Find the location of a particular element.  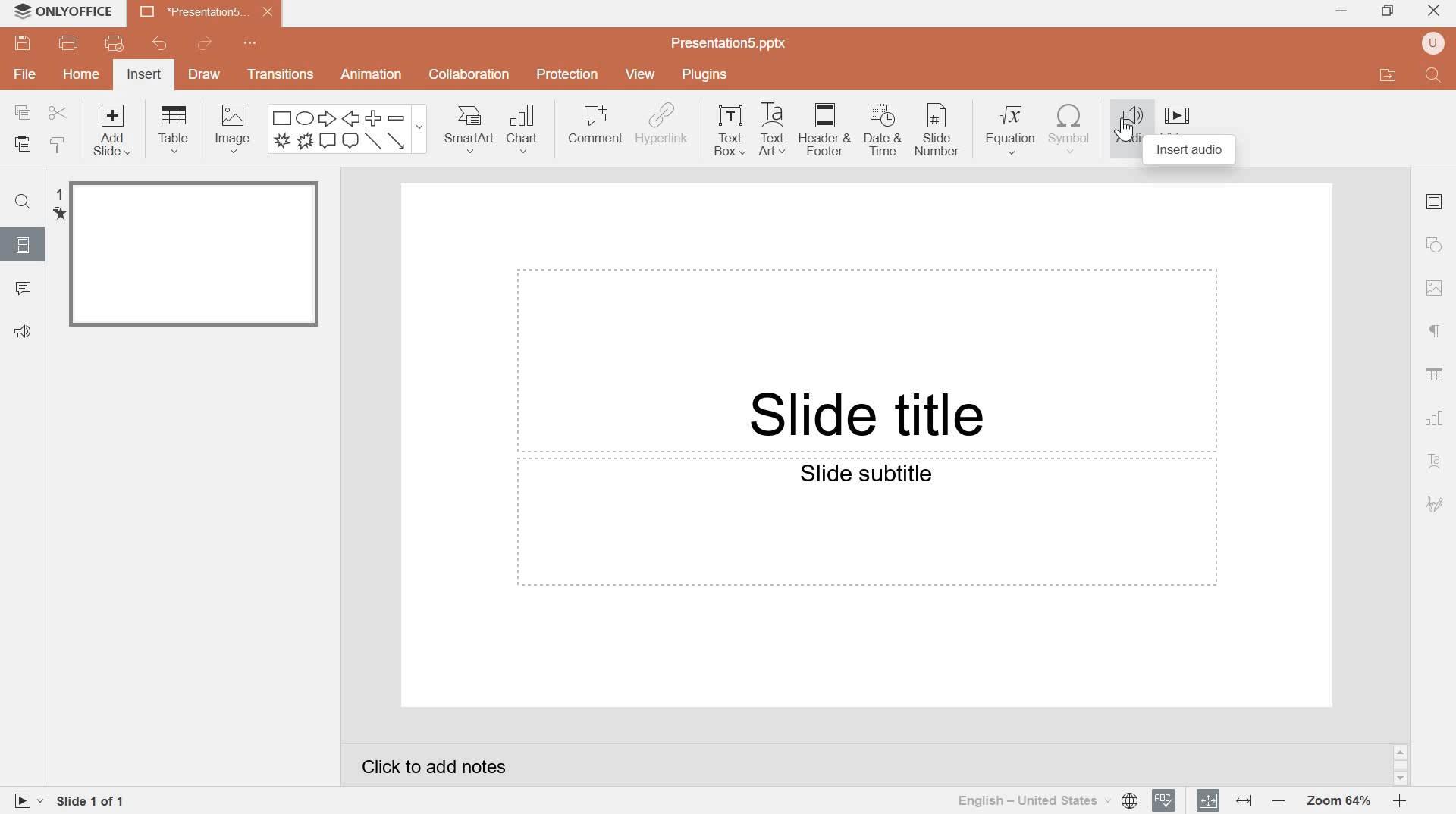

signature is located at coordinates (1435, 505).